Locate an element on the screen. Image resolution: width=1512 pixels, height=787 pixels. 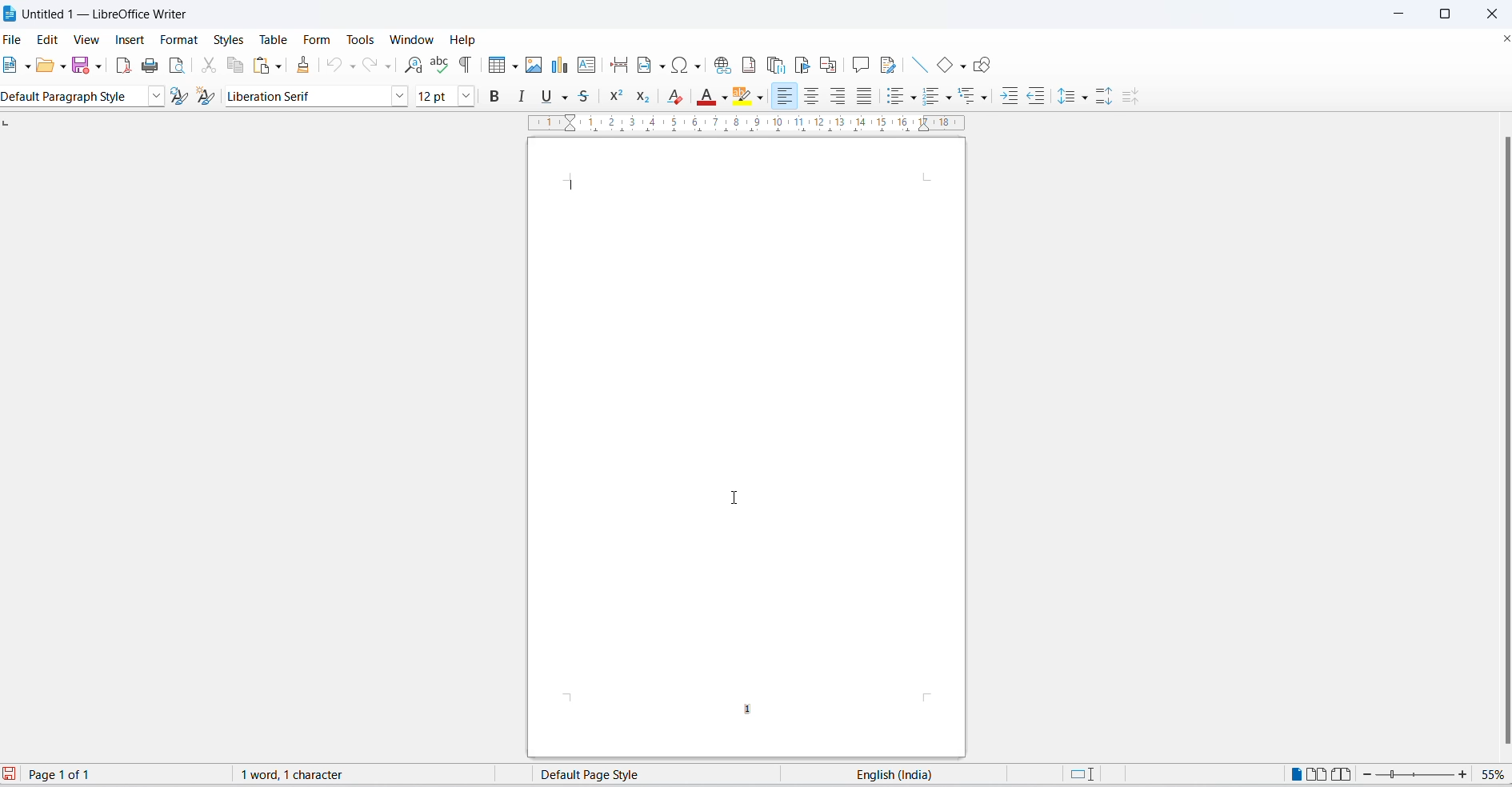
new file options is located at coordinates (27, 66).